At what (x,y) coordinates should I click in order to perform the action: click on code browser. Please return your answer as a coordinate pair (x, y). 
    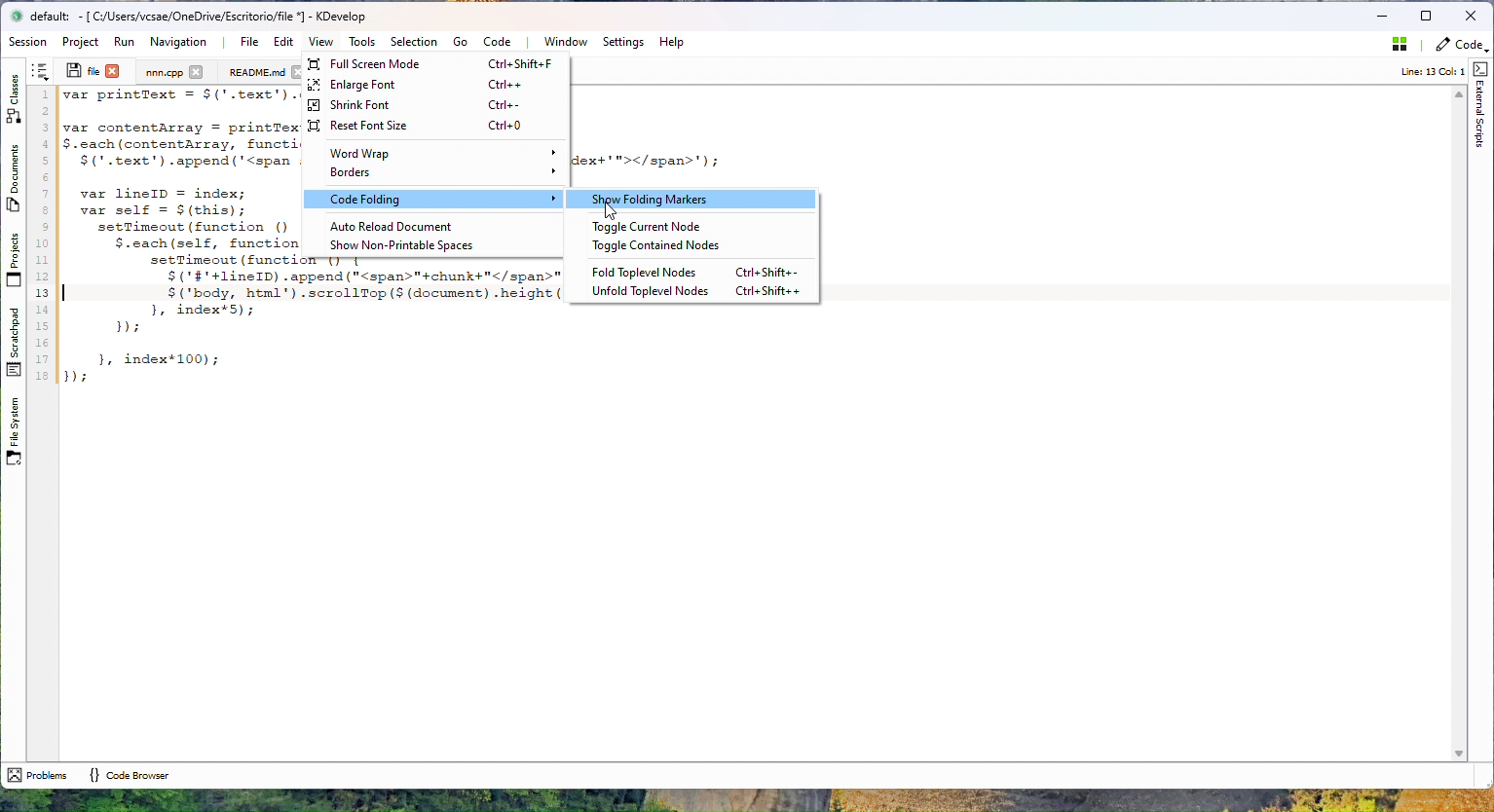
    Looking at the image, I should click on (129, 774).